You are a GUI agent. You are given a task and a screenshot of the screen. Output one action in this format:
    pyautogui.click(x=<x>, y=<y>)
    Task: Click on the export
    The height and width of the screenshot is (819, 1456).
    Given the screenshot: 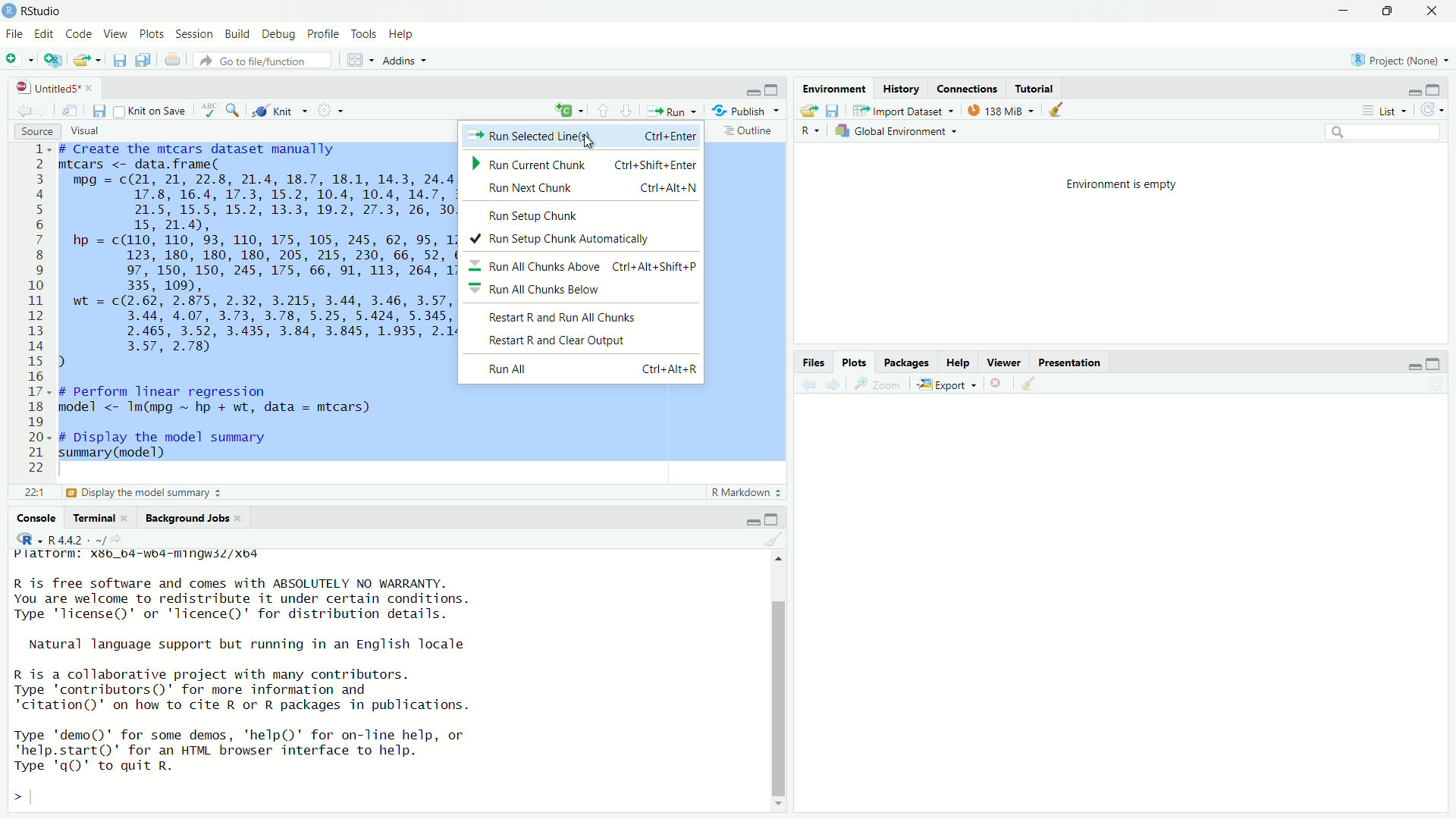 What is the action you would take?
    pyautogui.click(x=947, y=385)
    